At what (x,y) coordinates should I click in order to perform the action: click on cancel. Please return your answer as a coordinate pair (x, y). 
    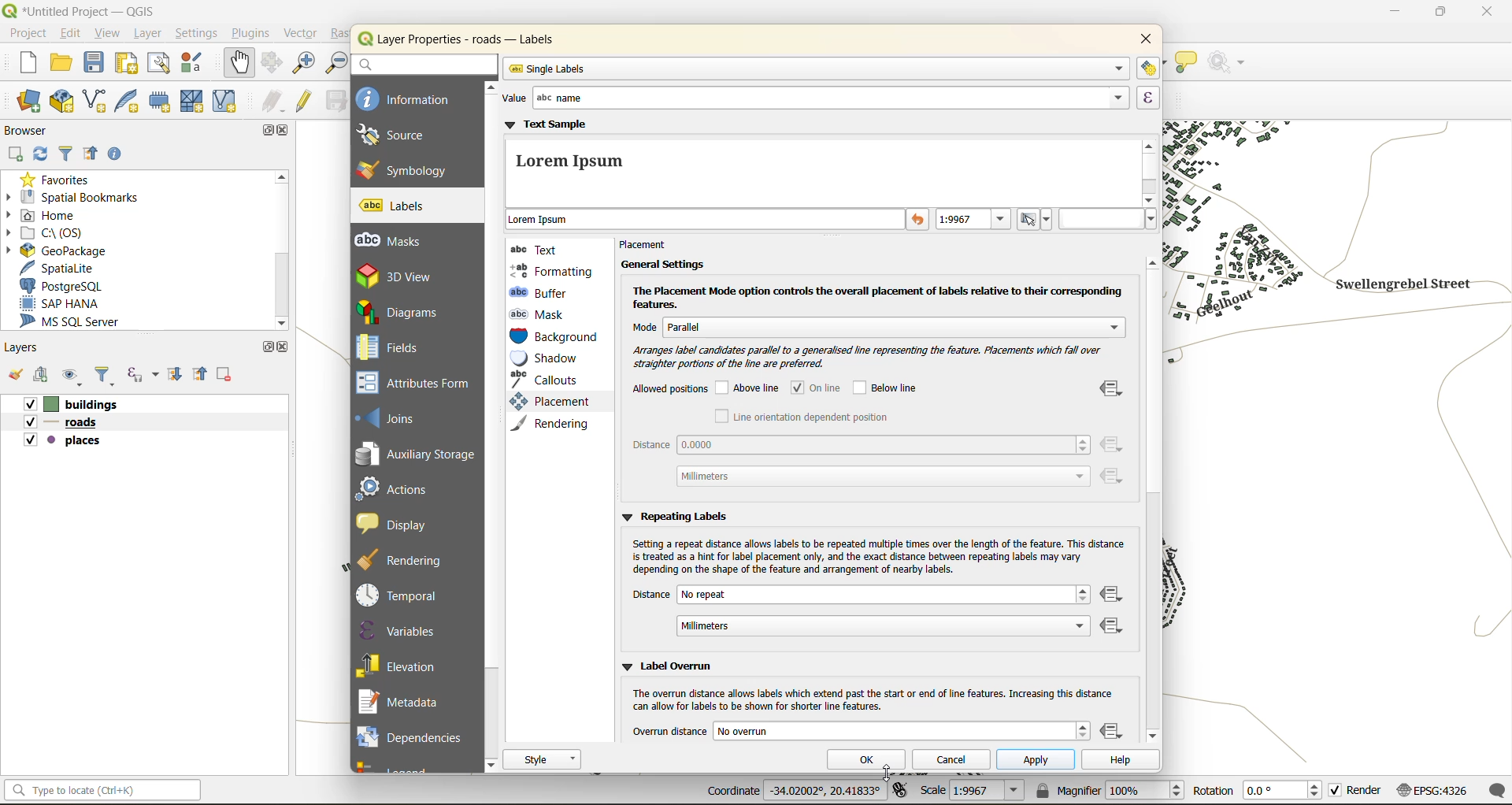
    Looking at the image, I should click on (955, 759).